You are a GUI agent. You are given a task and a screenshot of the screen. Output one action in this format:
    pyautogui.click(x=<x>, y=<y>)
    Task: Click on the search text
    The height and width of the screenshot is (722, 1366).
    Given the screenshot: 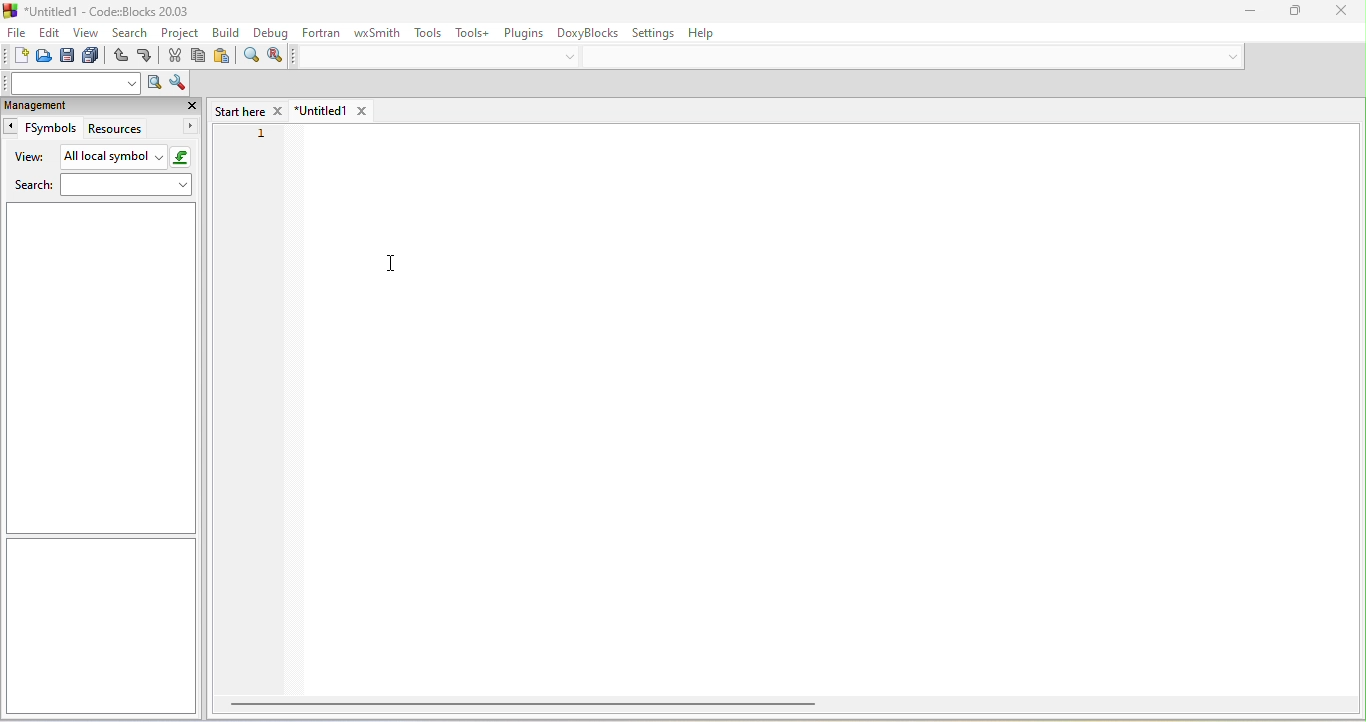 What is the action you would take?
    pyautogui.click(x=70, y=82)
    